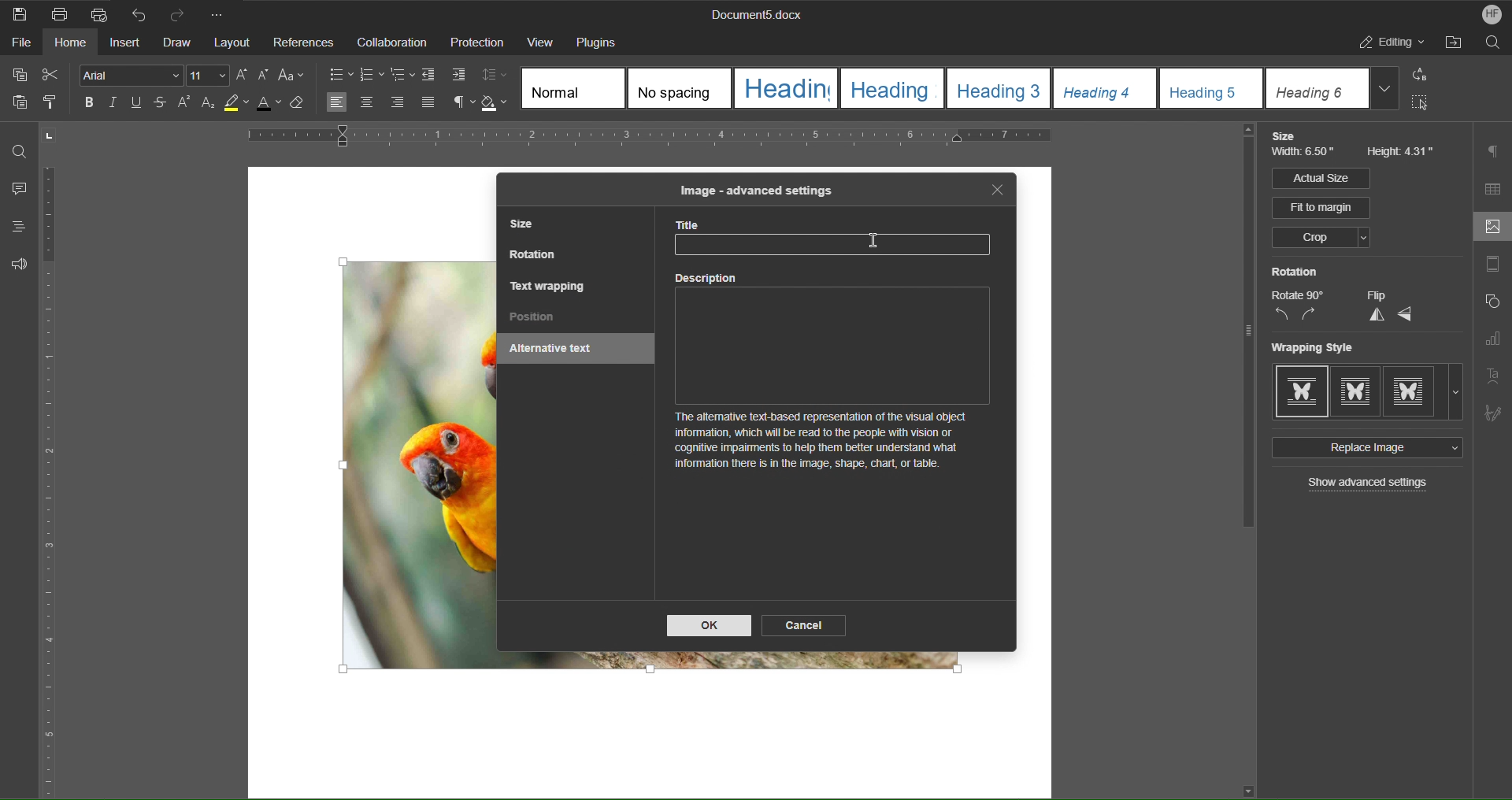 The width and height of the screenshot is (1512, 800). Describe the element at coordinates (1368, 392) in the screenshot. I see `Wrapping Style` at that location.